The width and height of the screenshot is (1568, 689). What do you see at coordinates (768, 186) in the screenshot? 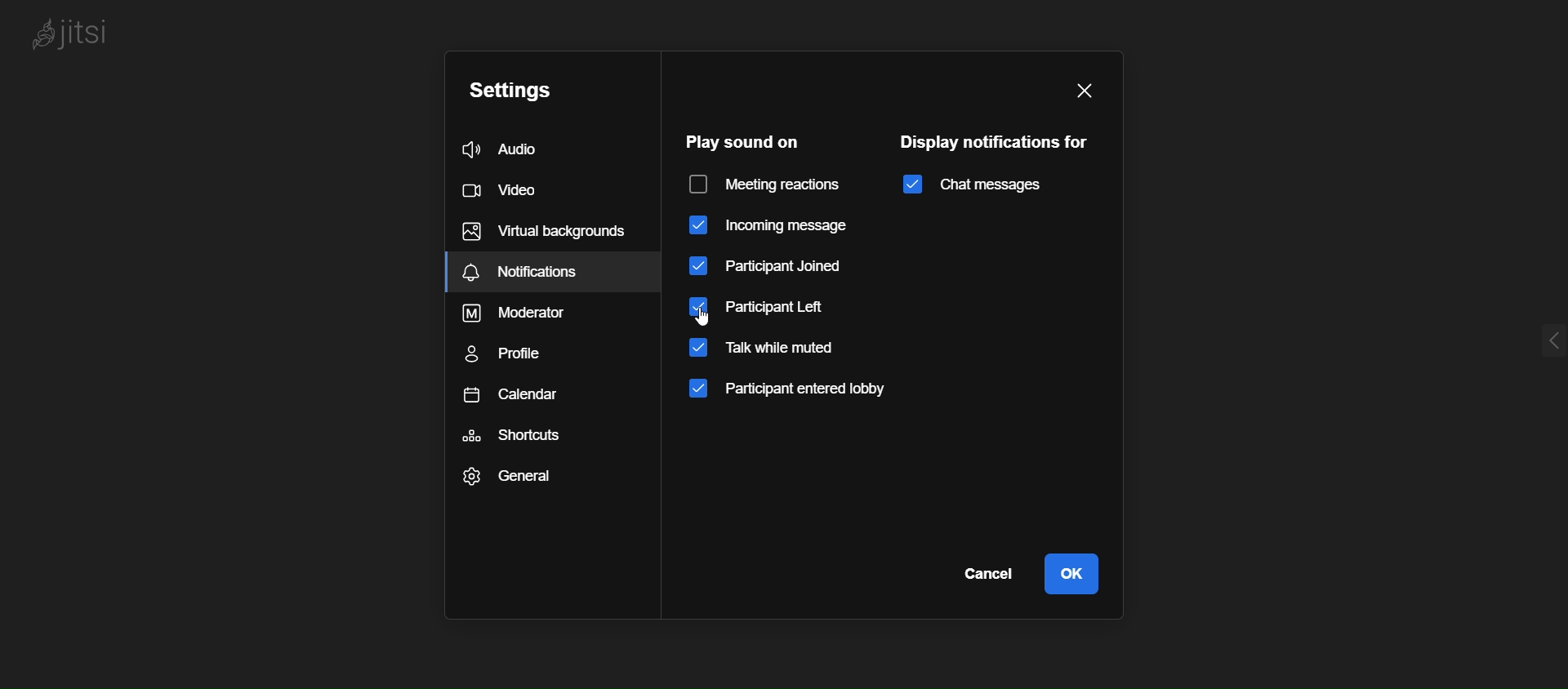
I see `meeting reaction` at bounding box center [768, 186].